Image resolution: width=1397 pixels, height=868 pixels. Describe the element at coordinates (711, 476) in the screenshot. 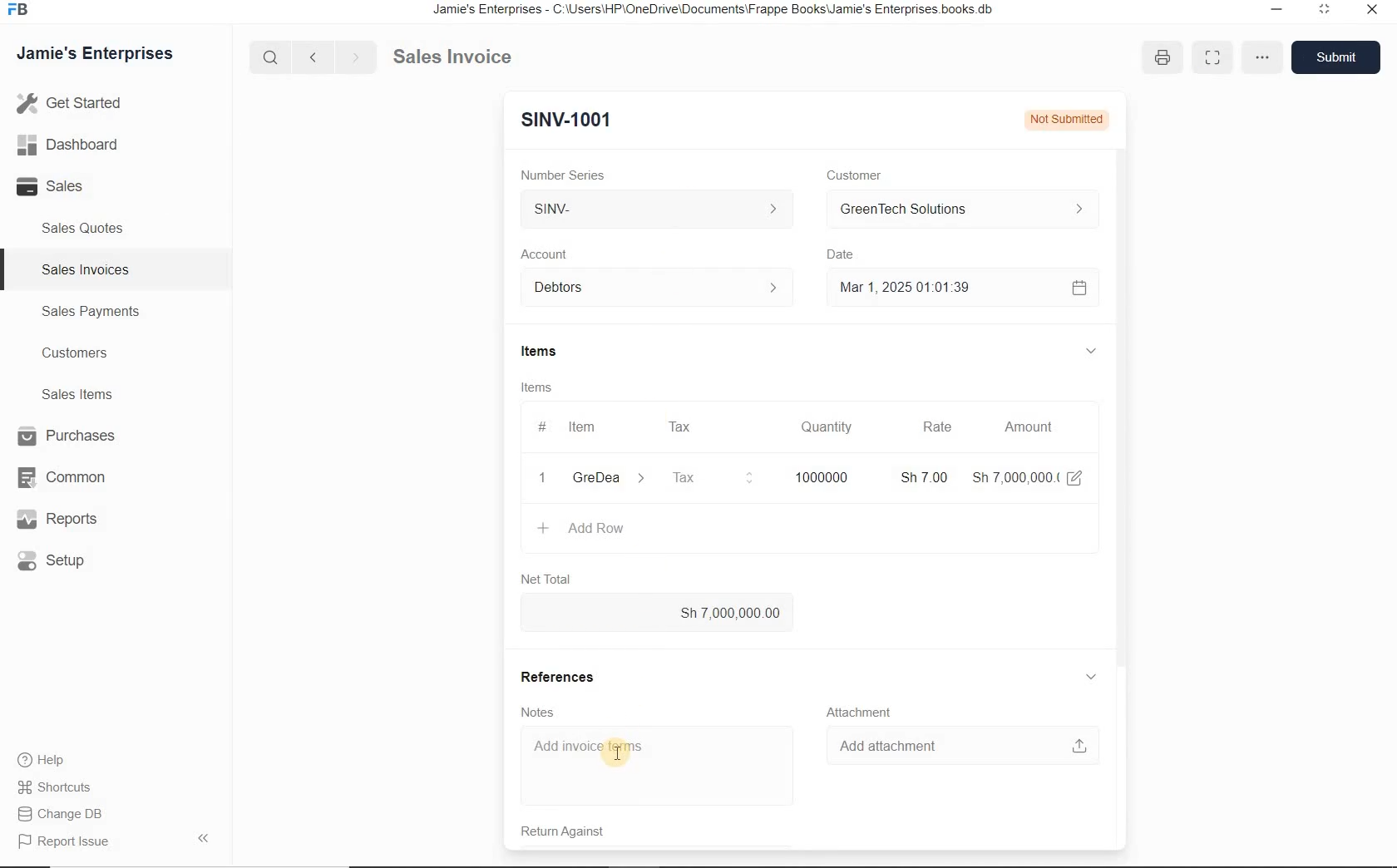

I see `Tax` at that location.